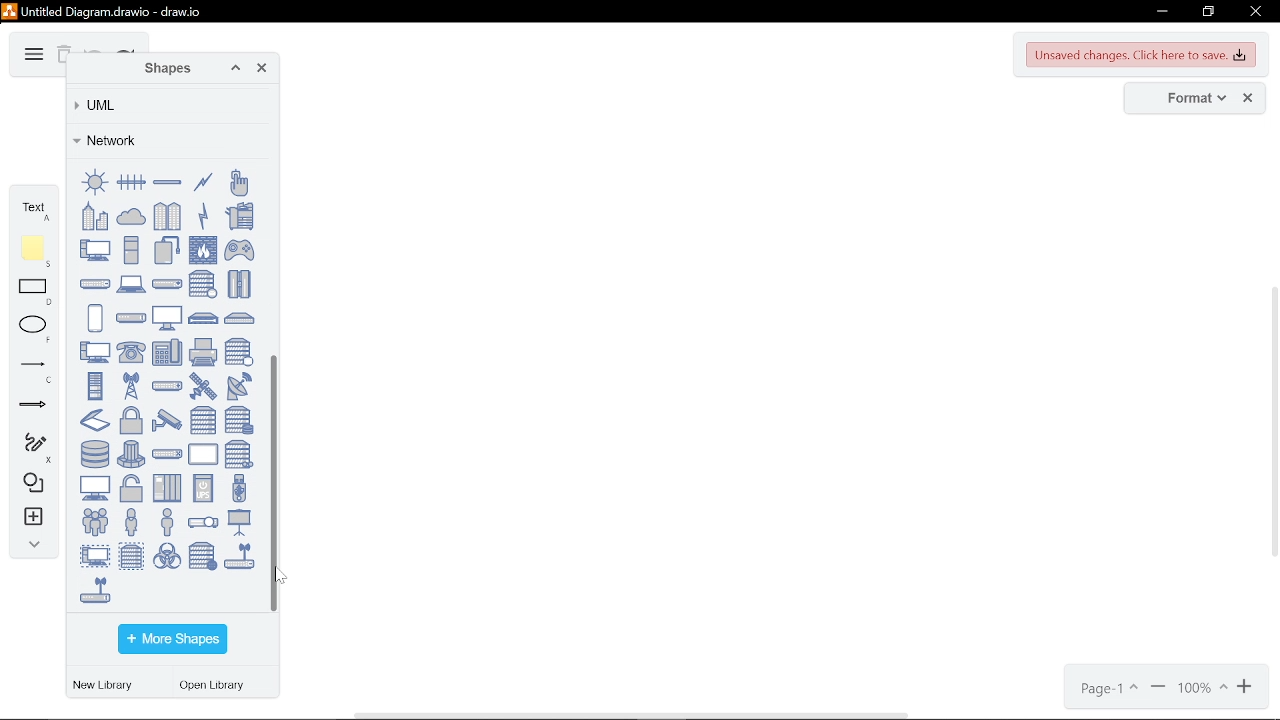  What do you see at coordinates (131, 182) in the screenshot?
I see `bus` at bounding box center [131, 182].